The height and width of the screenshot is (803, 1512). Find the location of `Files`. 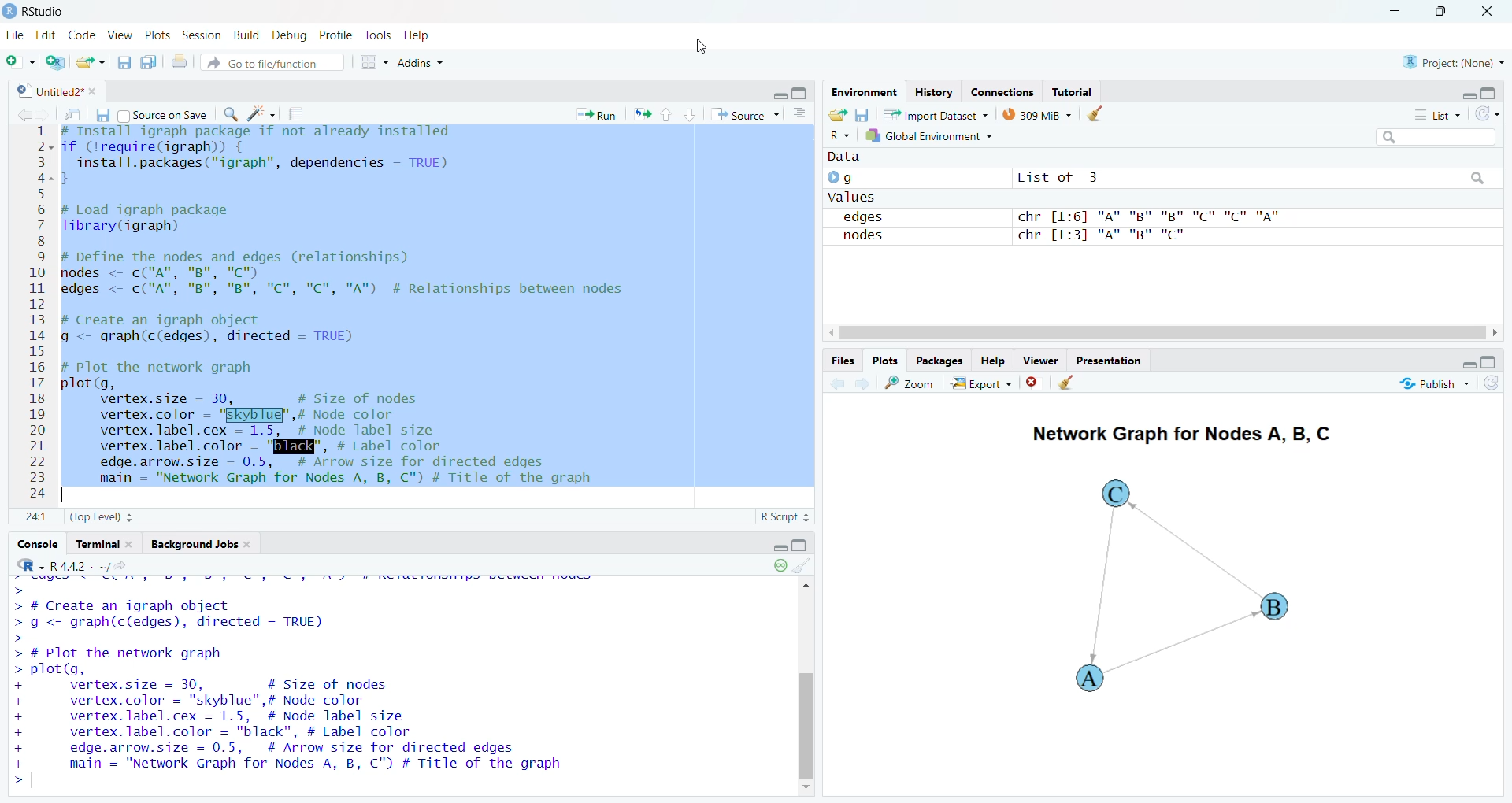

Files is located at coordinates (839, 359).